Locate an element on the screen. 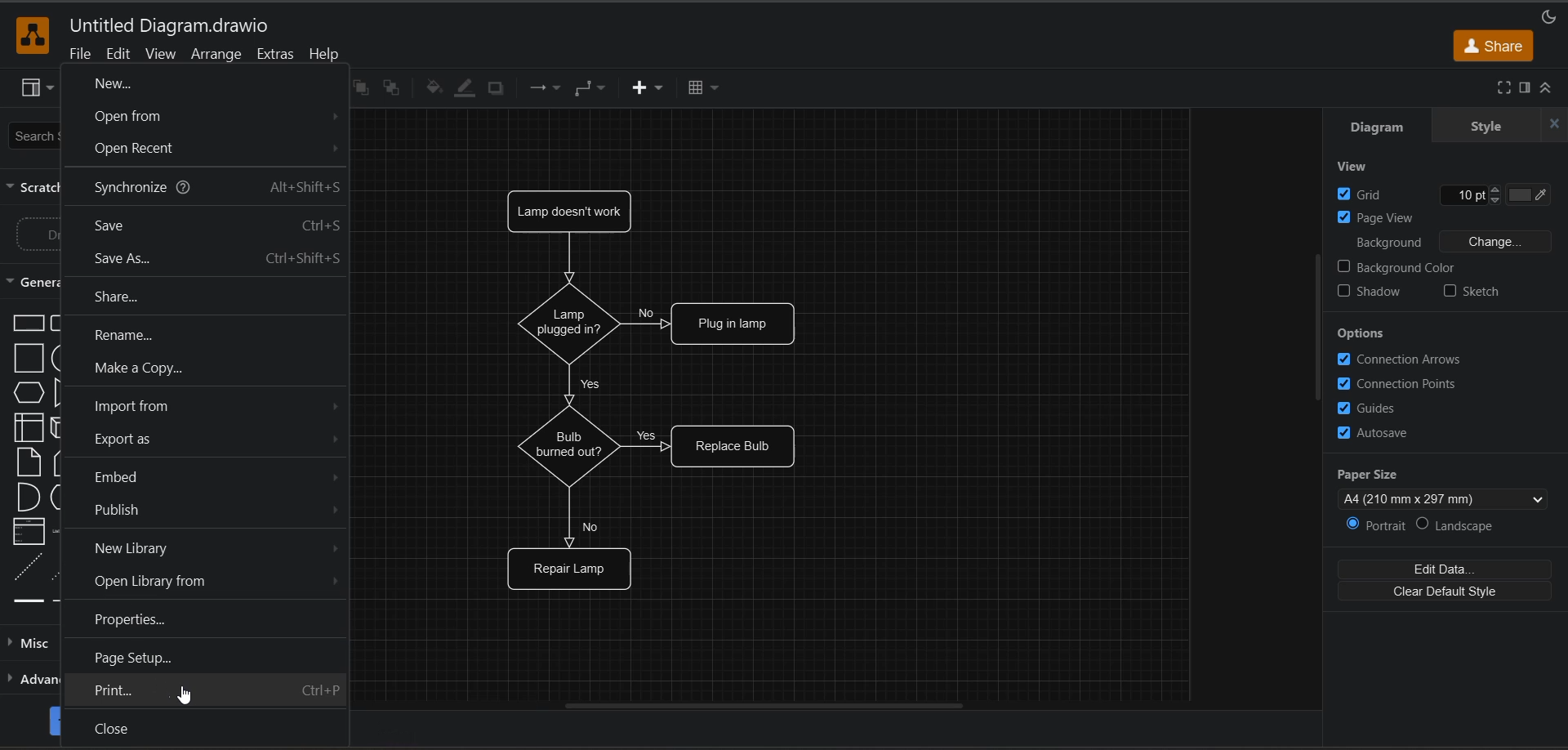 Image resolution: width=1568 pixels, height=750 pixels. vertical scroll bar is located at coordinates (1319, 324).